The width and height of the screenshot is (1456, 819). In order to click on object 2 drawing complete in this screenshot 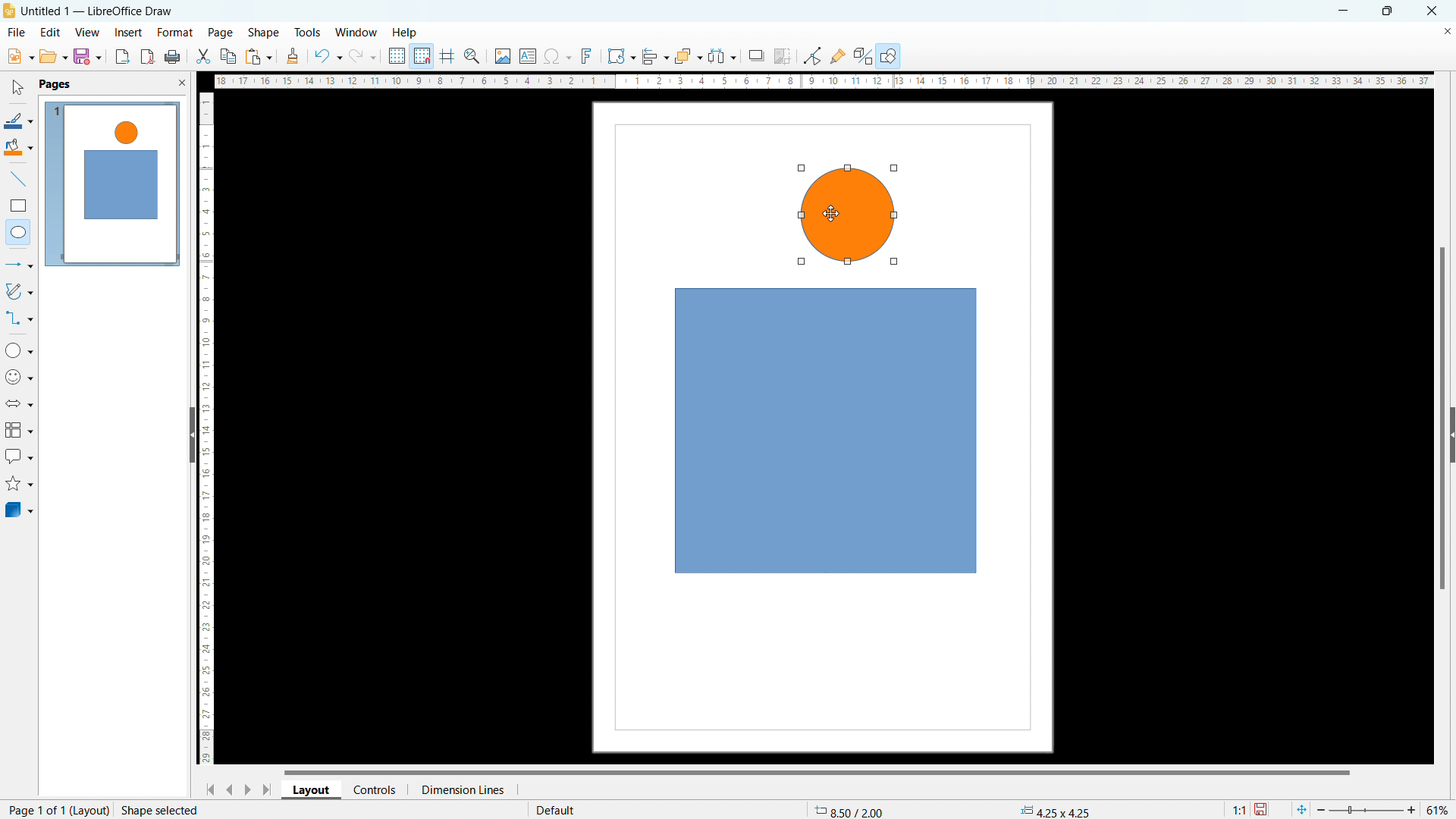, I will do `click(850, 214)`.